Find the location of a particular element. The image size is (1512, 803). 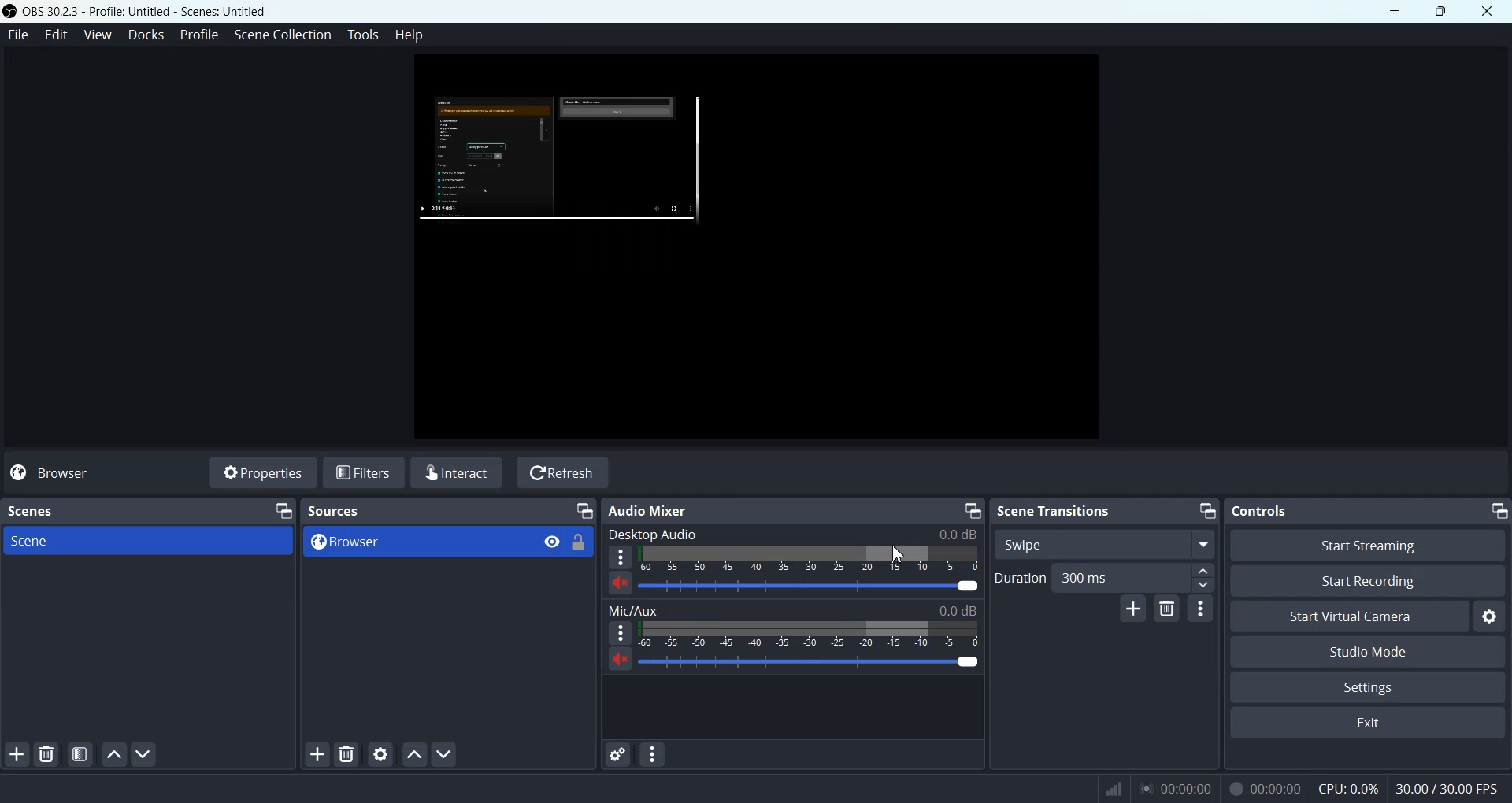

Transition properties is located at coordinates (1201, 611).